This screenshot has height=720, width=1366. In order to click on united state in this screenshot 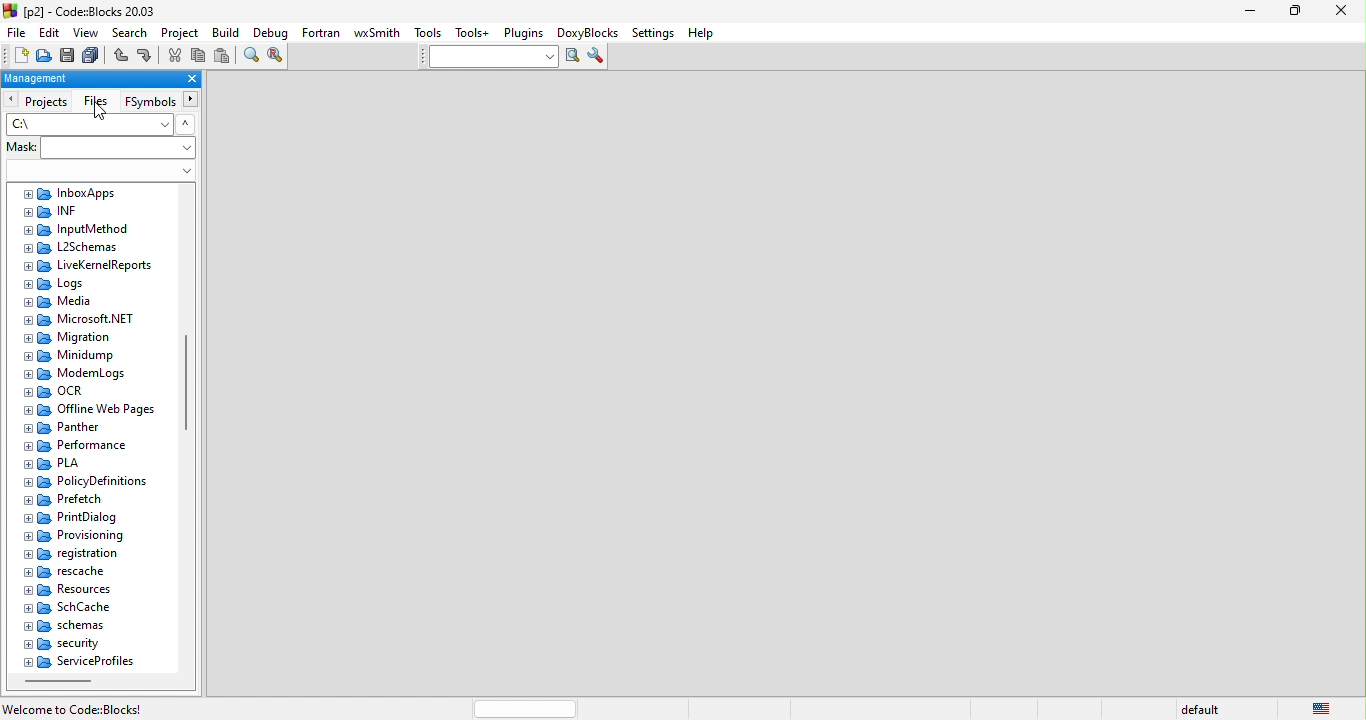, I will do `click(1321, 707)`.